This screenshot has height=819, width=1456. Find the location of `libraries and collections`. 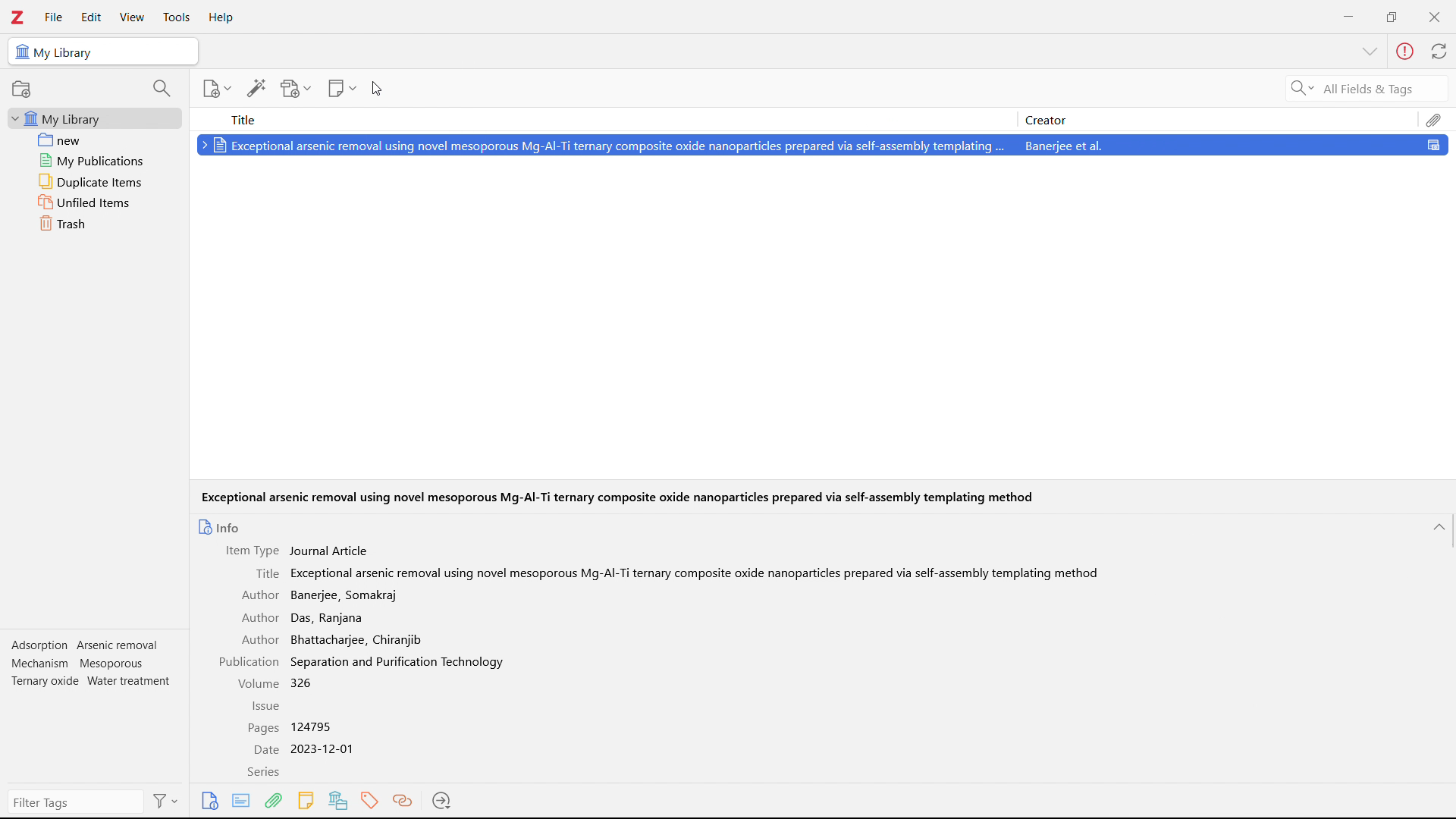

libraries and collections is located at coordinates (338, 801).